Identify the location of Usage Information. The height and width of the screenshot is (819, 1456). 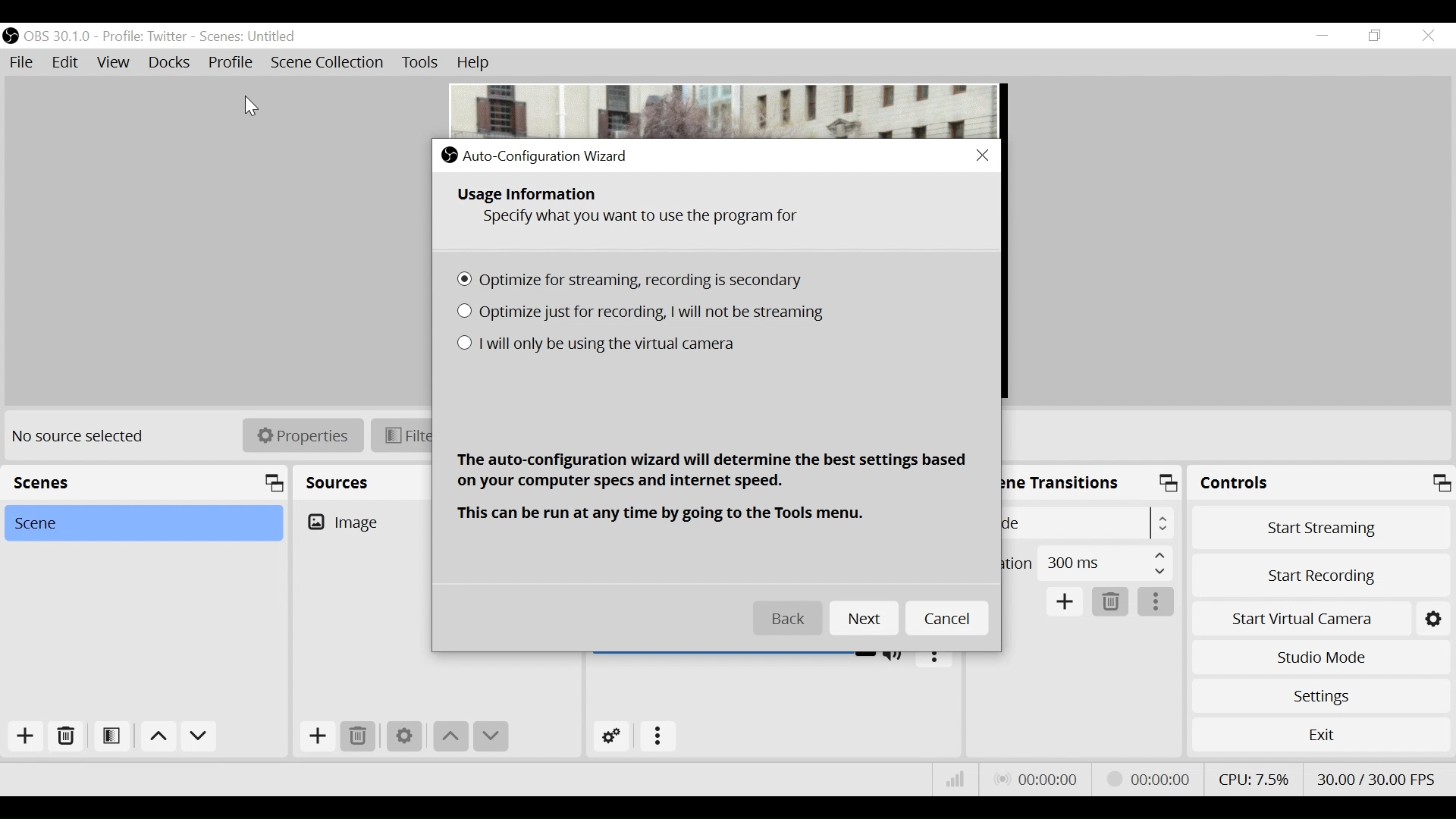
(531, 196).